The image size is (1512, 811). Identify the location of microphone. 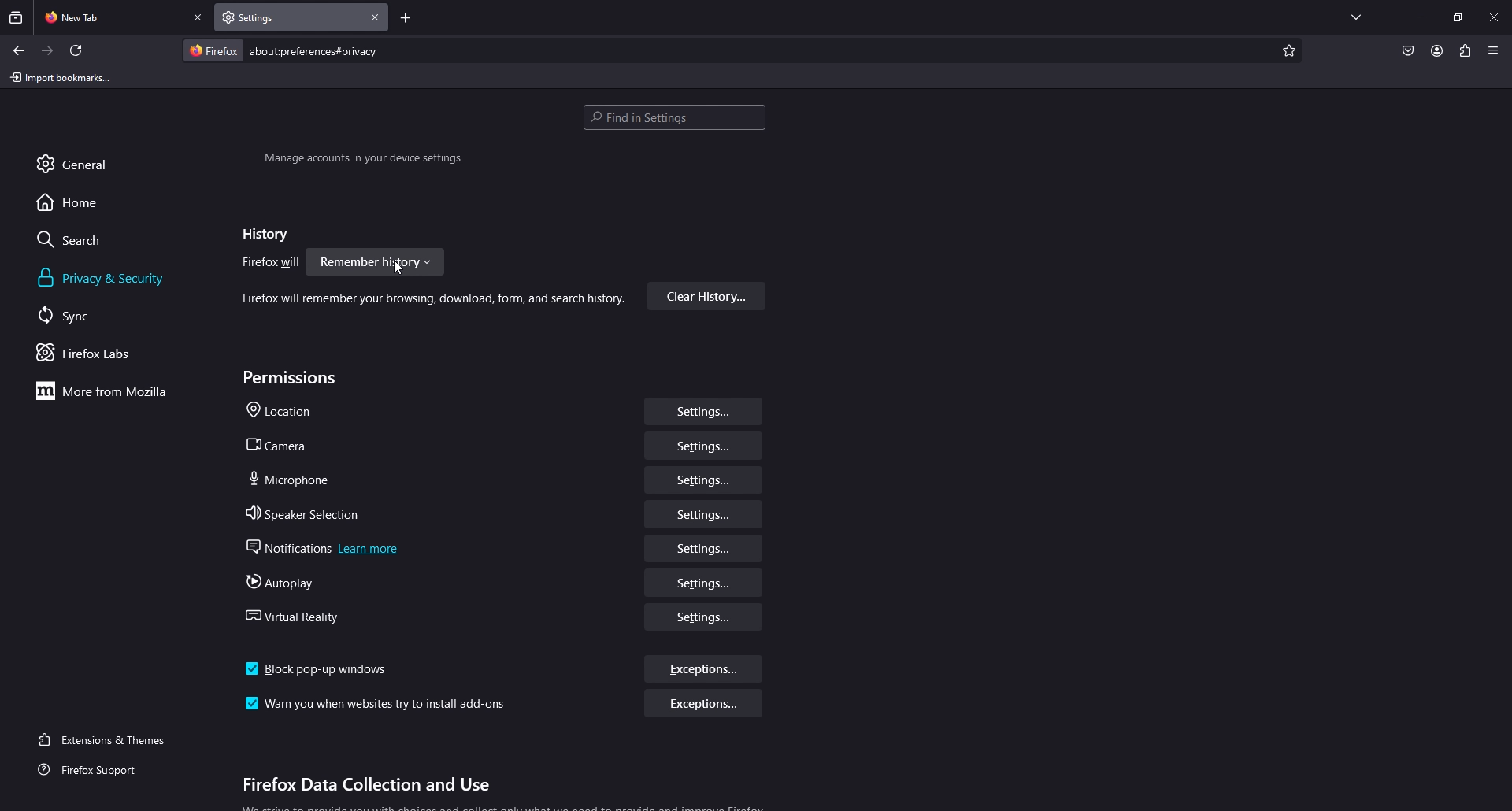
(291, 479).